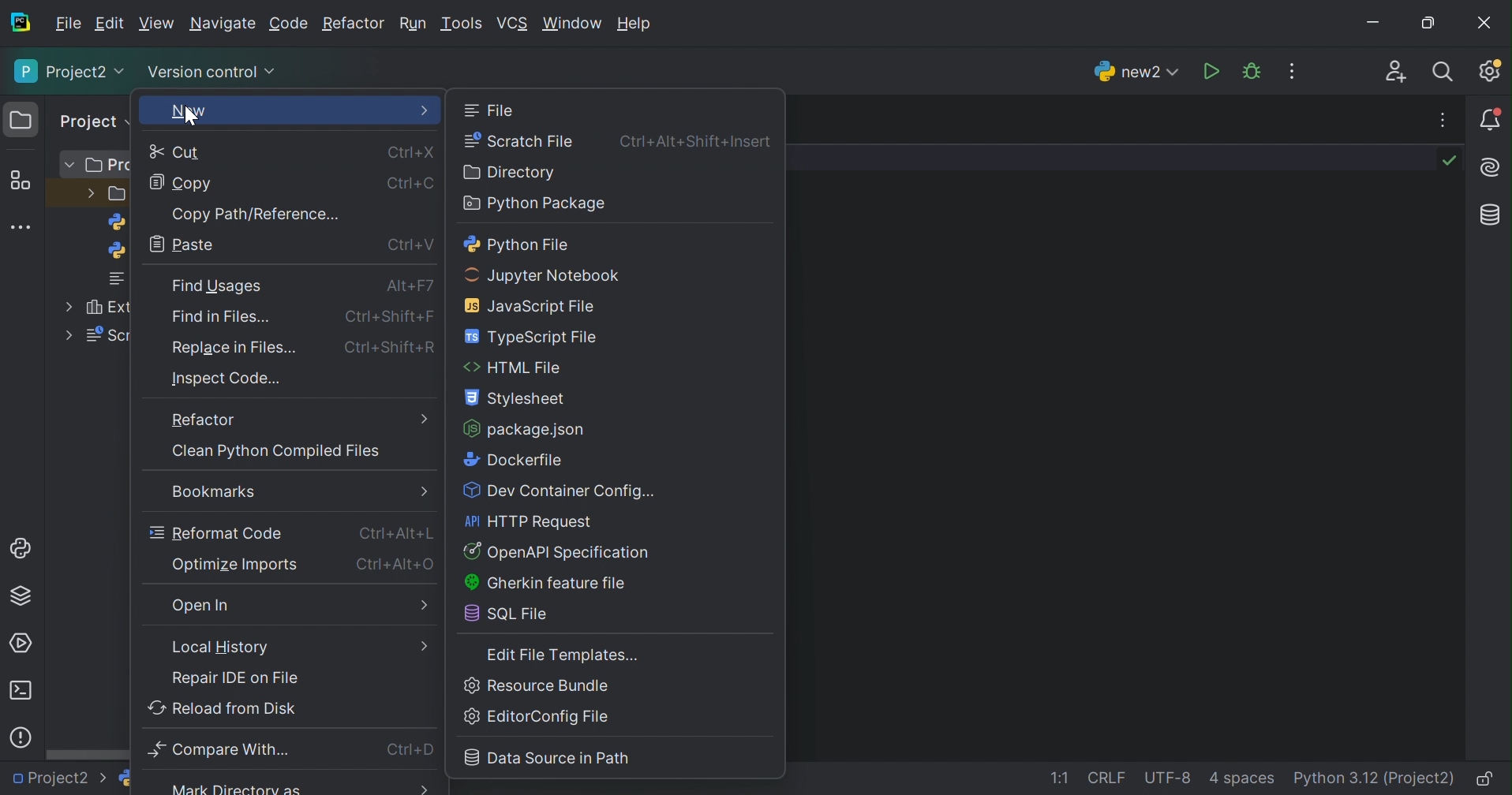  What do you see at coordinates (21, 119) in the screenshot?
I see `Folder icon` at bounding box center [21, 119].